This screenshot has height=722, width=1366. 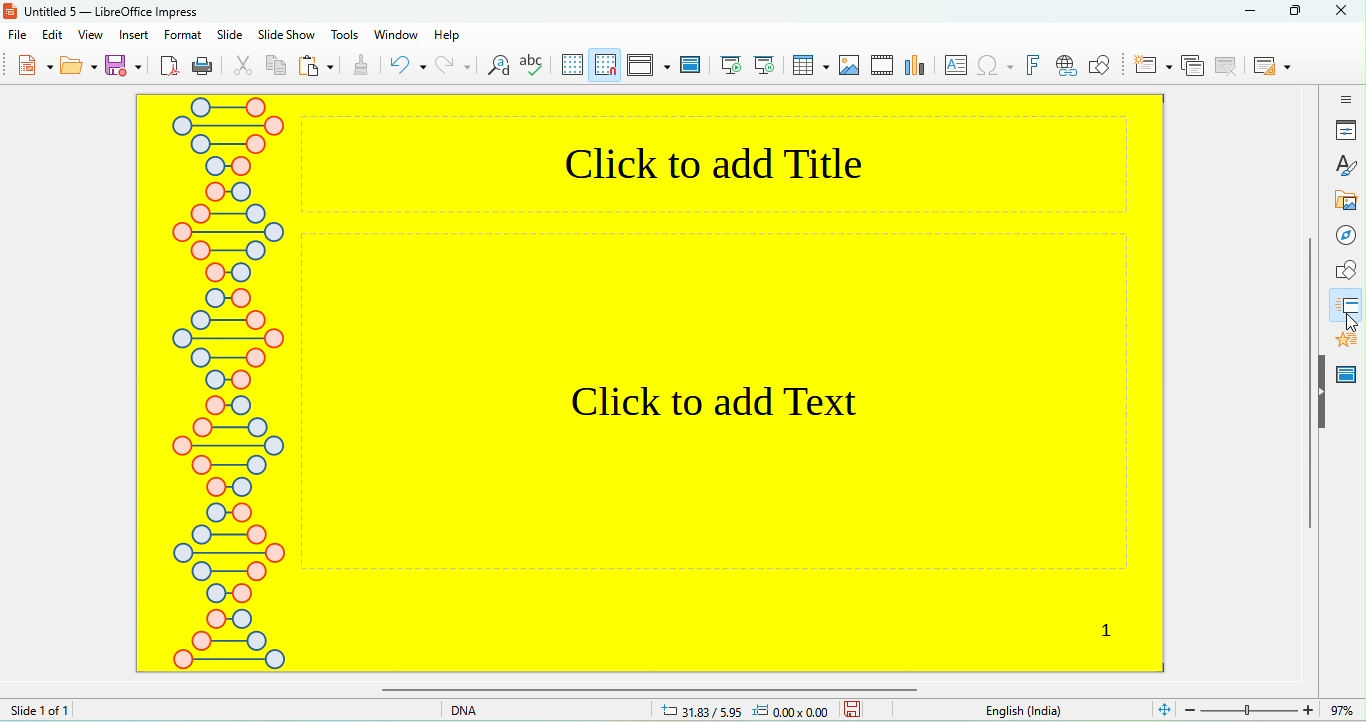 What do you see at coordinates (407, 68) in the screenshot?
I see `undo` at bounding box center [407, 68].